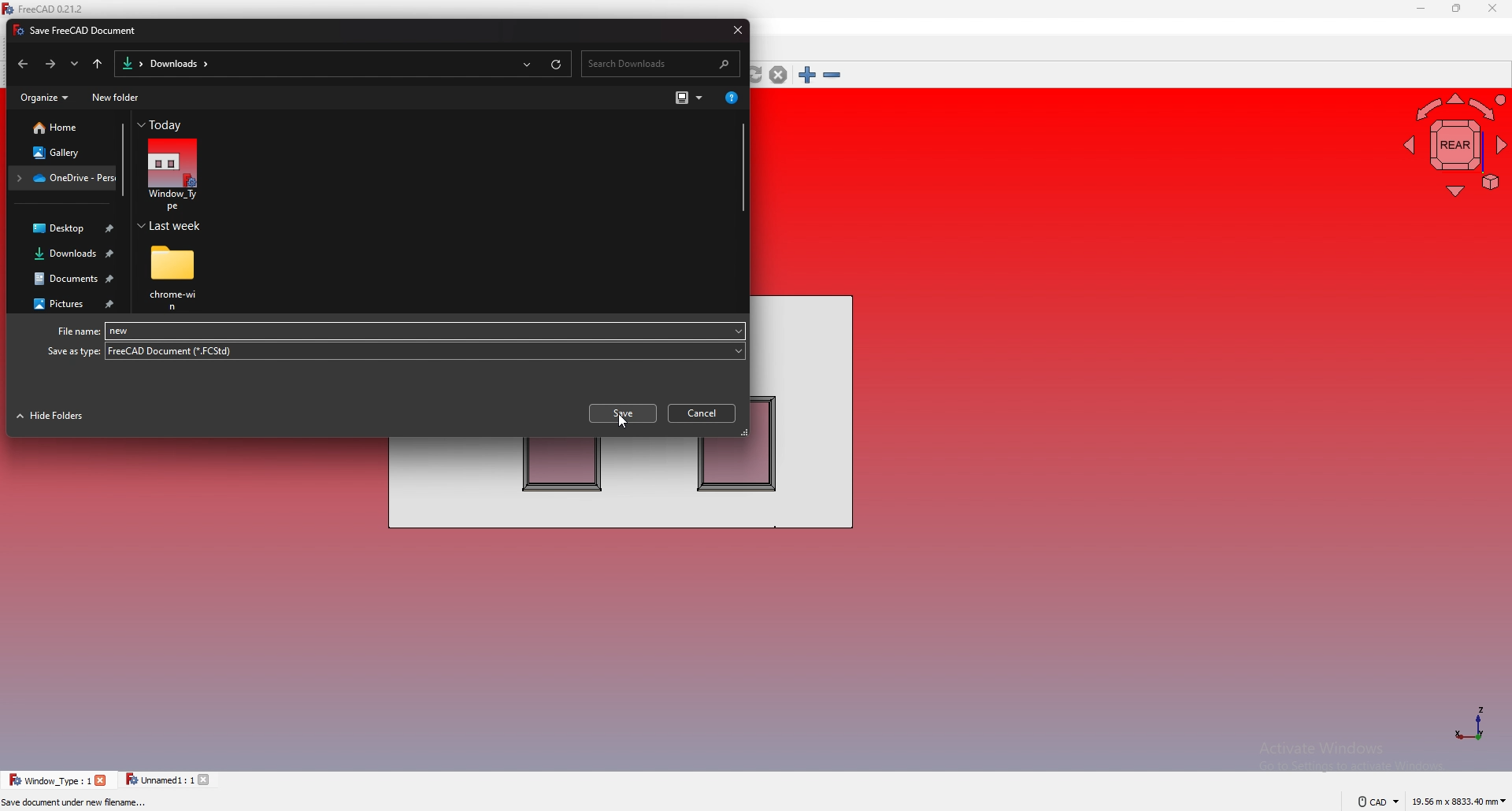 The image size is (1512, 811). Describe the element at coordinates (207, 780) in the screenshot. I see `close` at that location.